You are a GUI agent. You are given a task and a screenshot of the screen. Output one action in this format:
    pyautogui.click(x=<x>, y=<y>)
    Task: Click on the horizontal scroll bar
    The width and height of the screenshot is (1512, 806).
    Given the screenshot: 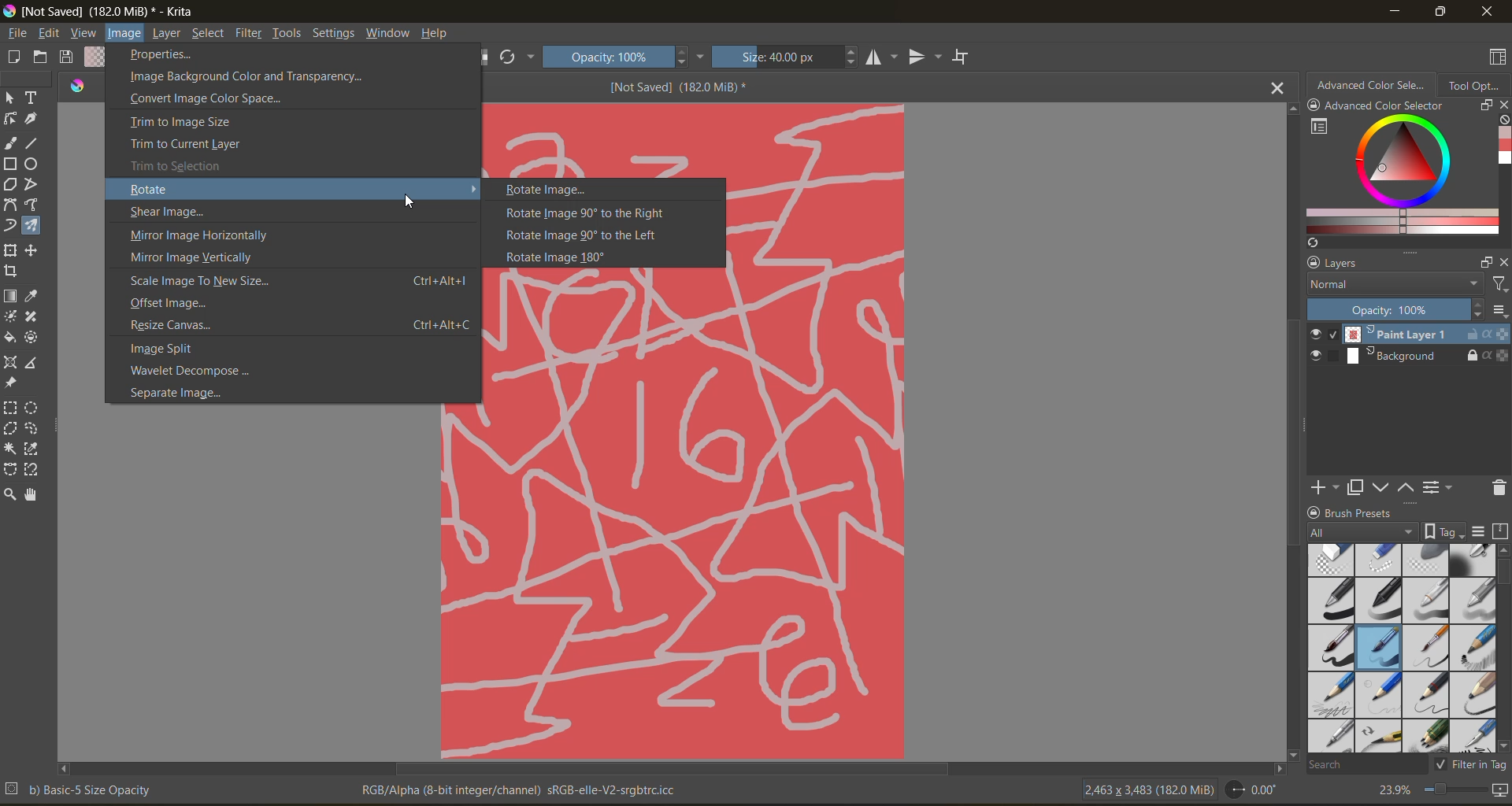 What is the action you would take?
    pyautogui.click(x=676, y=770)
    